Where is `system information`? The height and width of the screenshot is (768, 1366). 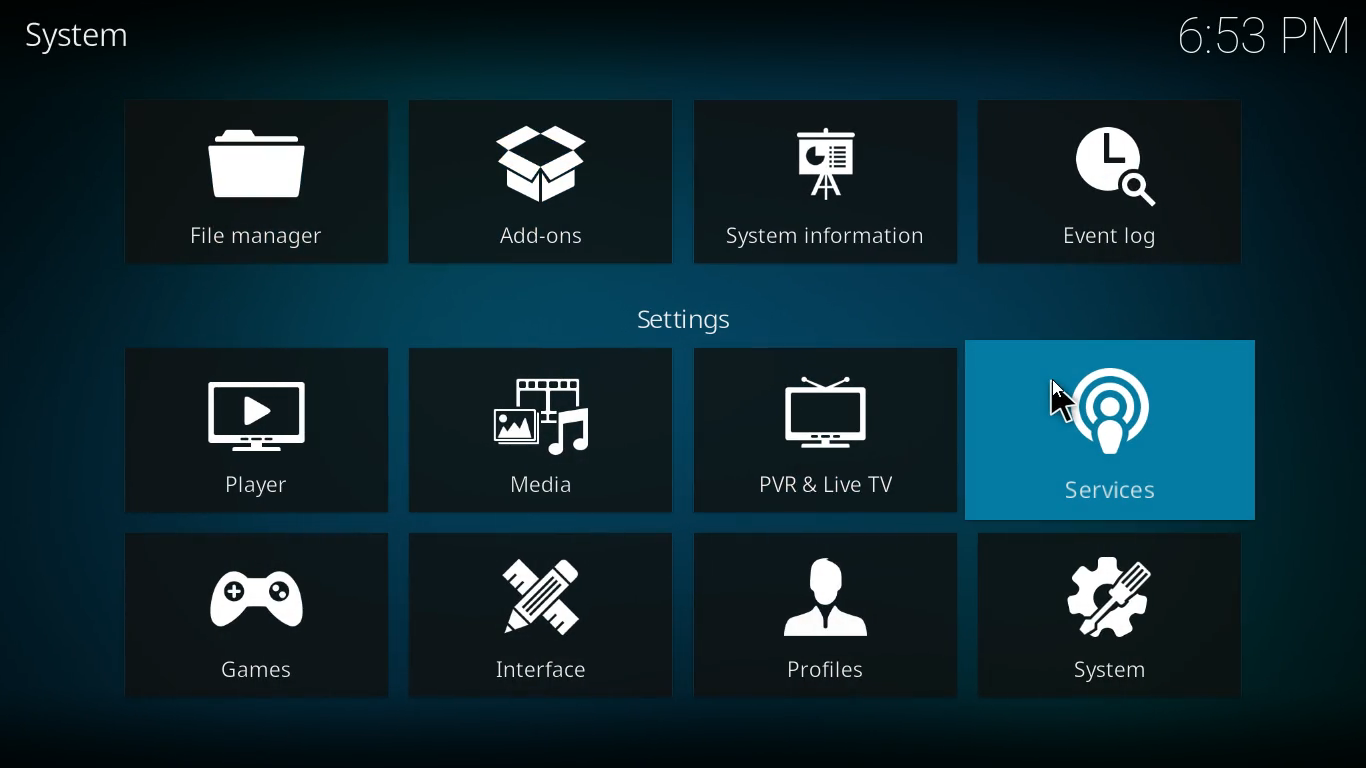
system information is located at coordinates (825, 189).